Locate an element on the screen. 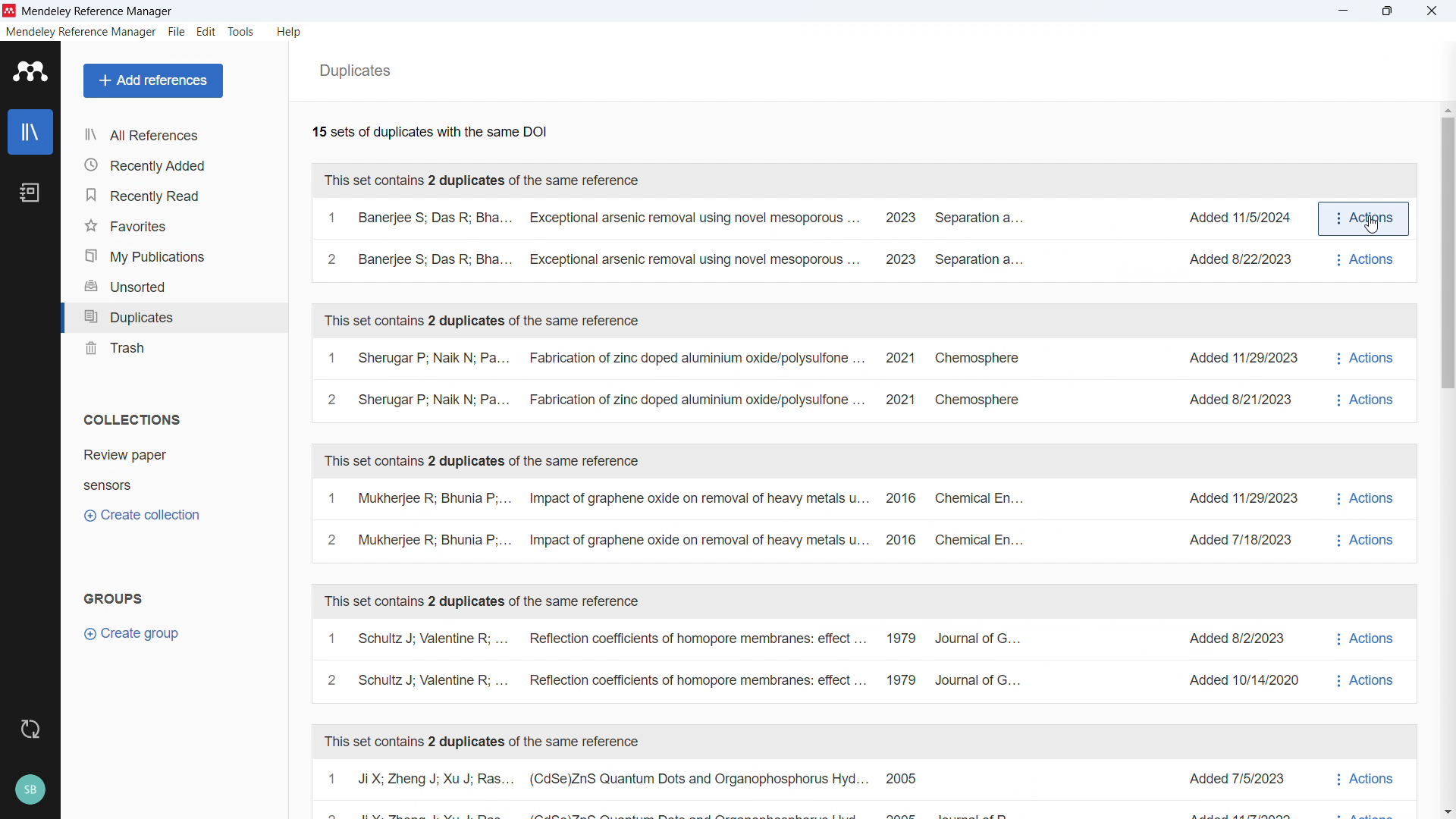 This screenshot has height=819, width=1456. Added 8/2/2023 is located at coordinates (1225, 635).